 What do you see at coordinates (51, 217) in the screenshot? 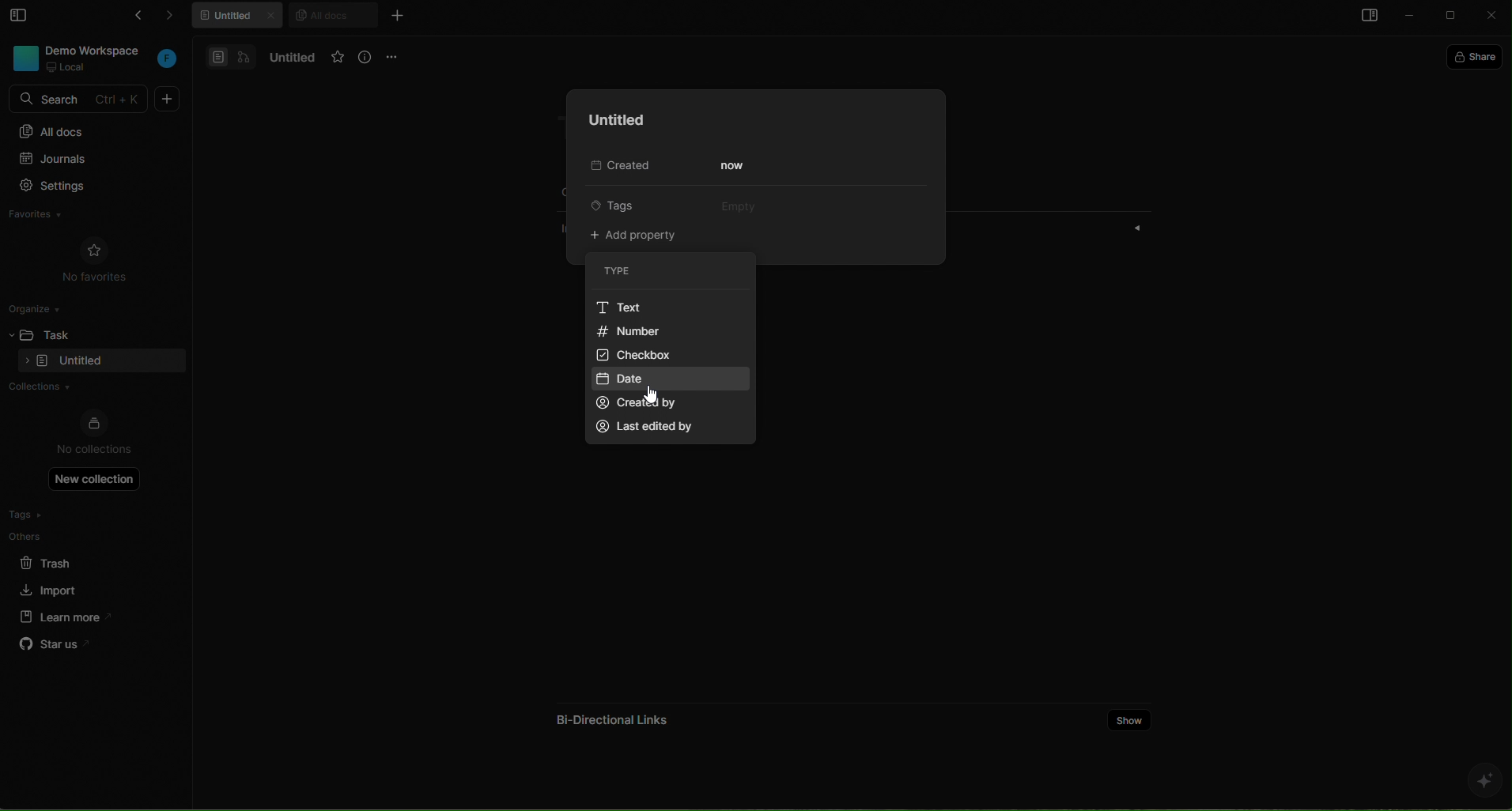
I see `favorites` at bounding box center [51, 217].